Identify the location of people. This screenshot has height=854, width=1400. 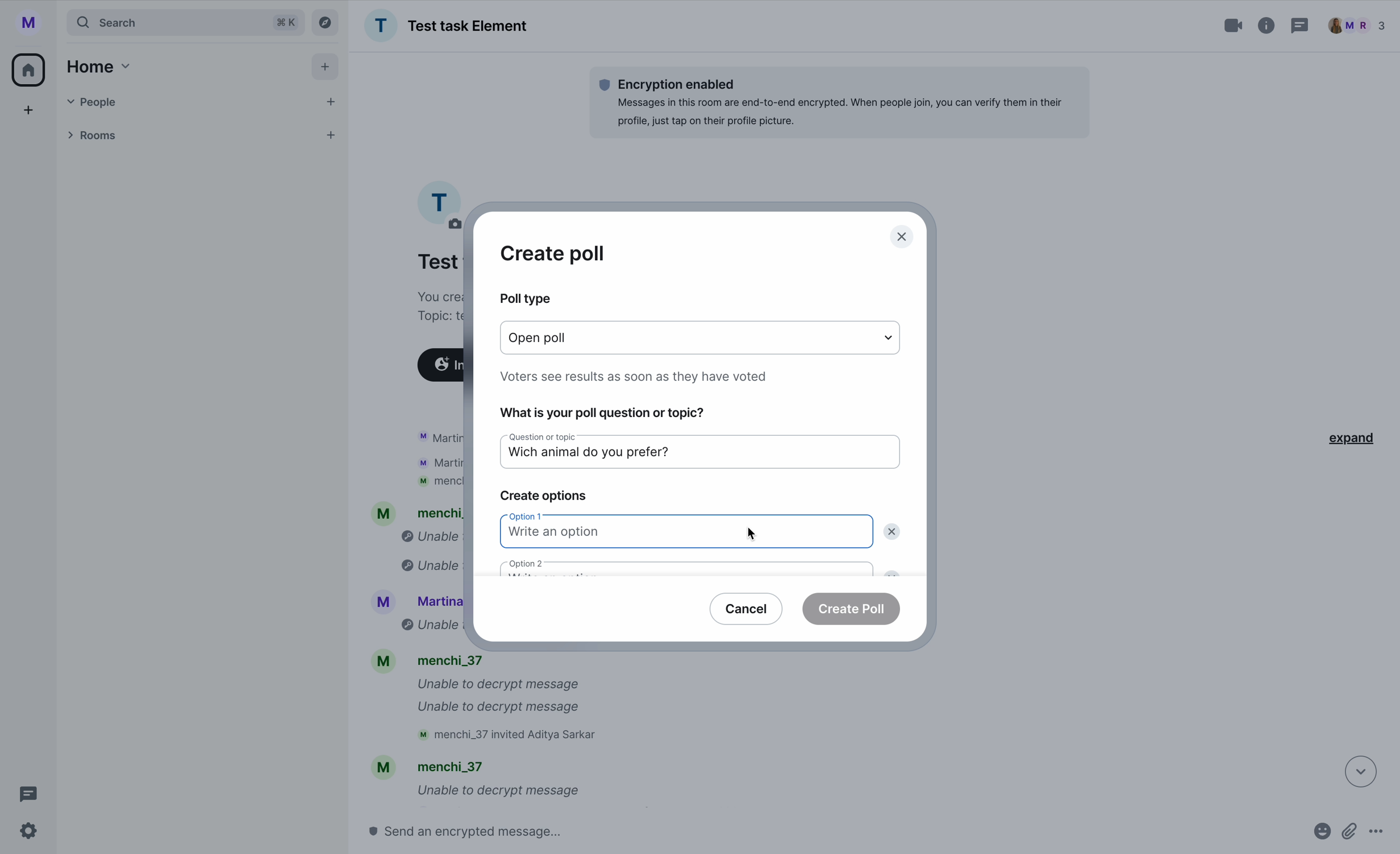
(1357, 26).